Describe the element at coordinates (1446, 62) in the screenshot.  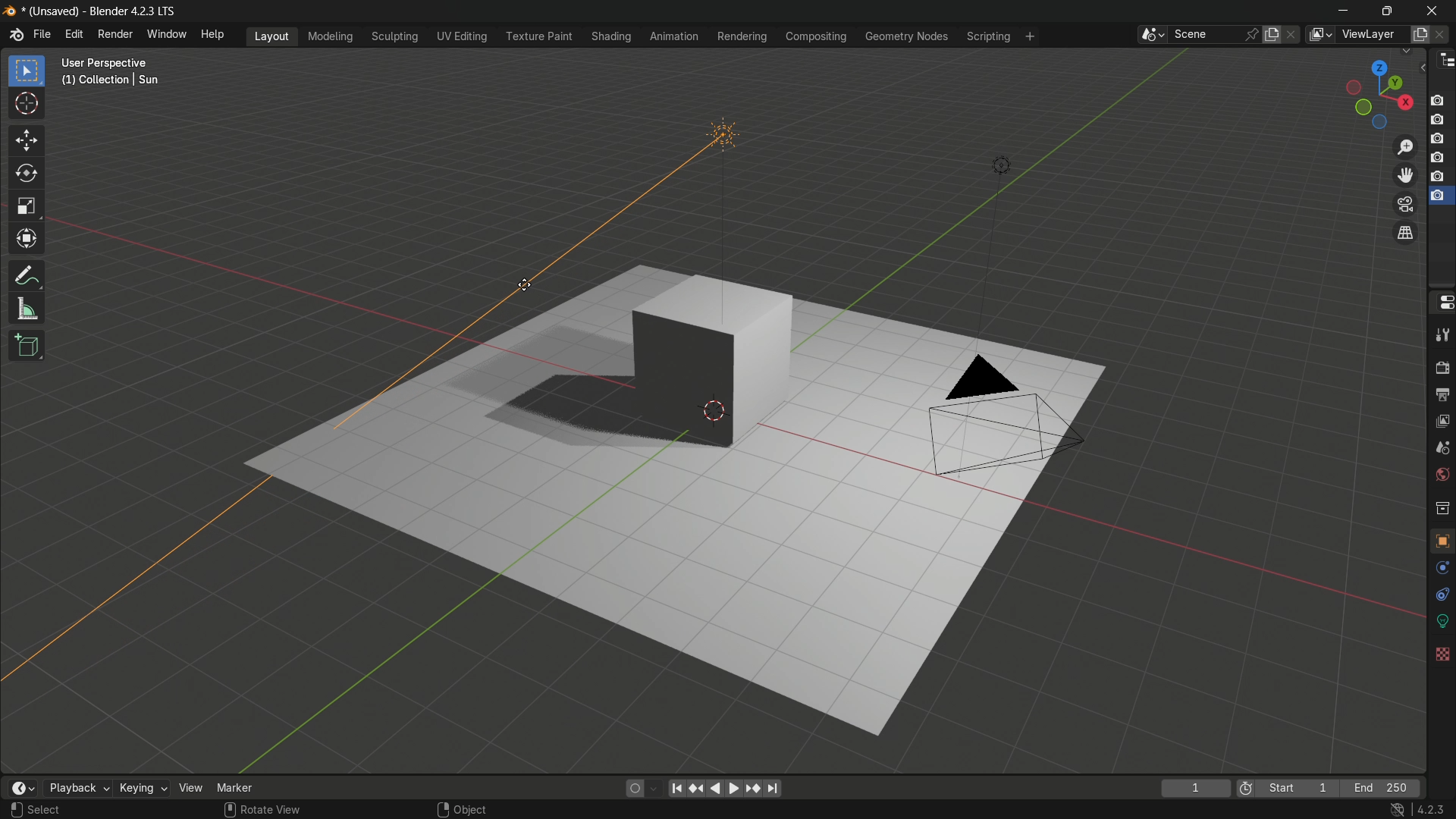
I see `outliner` at that location.